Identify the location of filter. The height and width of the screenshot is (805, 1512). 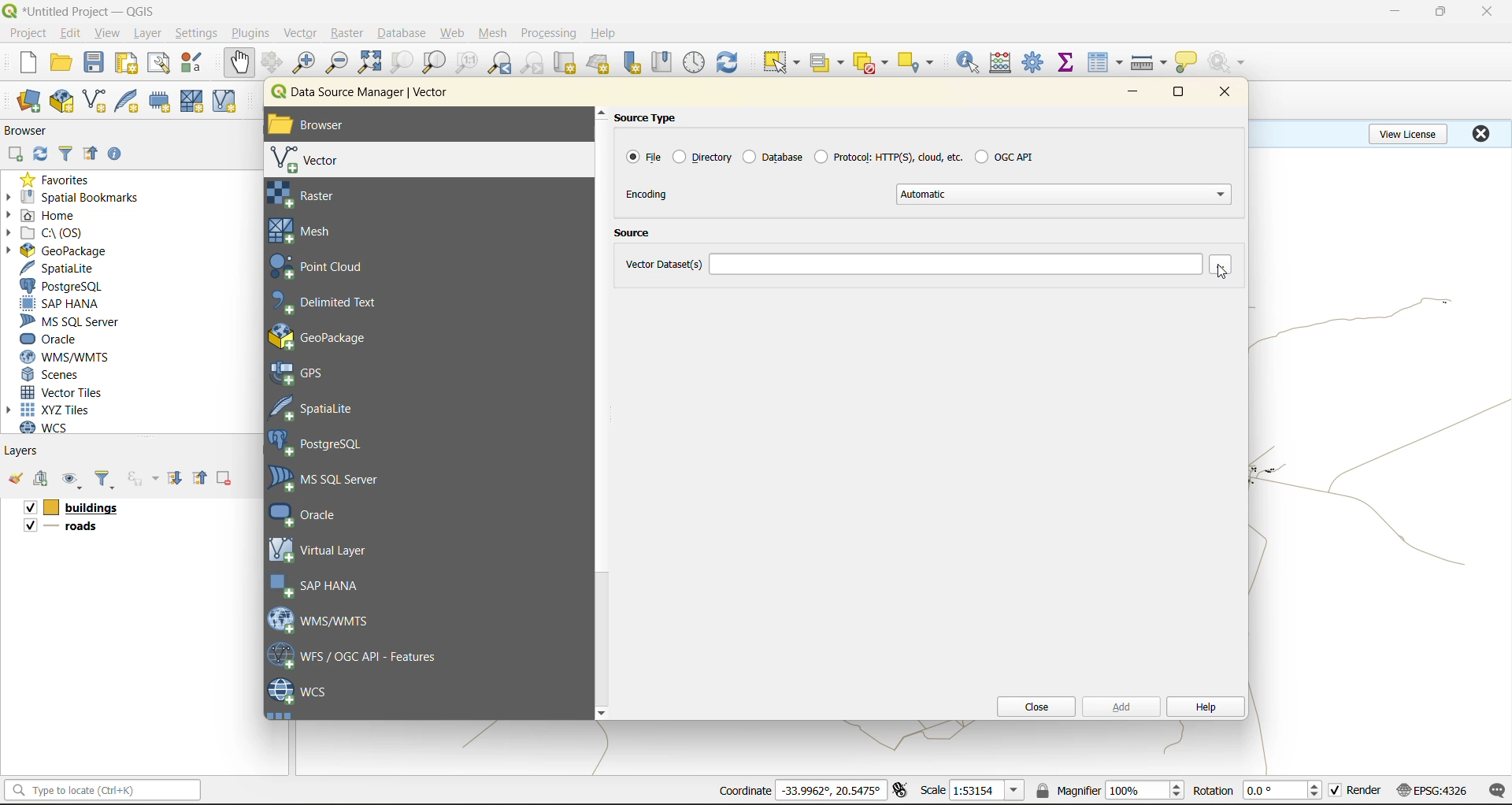
(69, 152).